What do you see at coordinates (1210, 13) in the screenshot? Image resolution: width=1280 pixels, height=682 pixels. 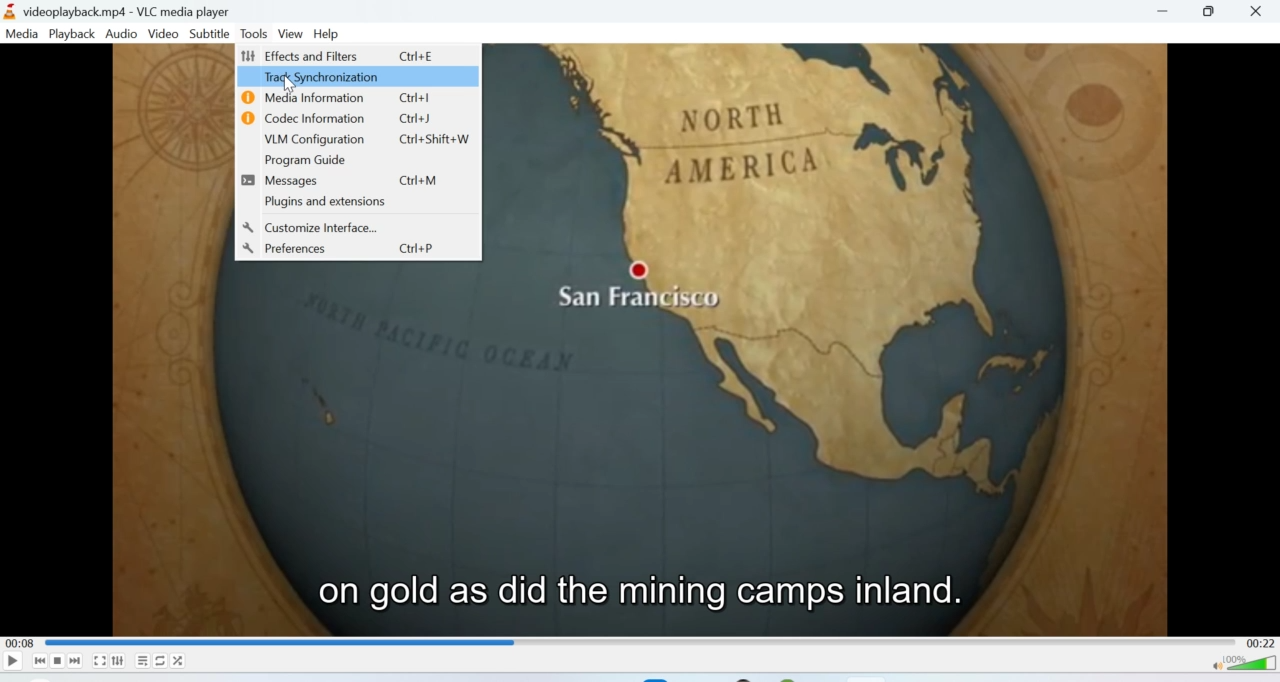 I see `Maximize` at bounding box center [1210, 13].